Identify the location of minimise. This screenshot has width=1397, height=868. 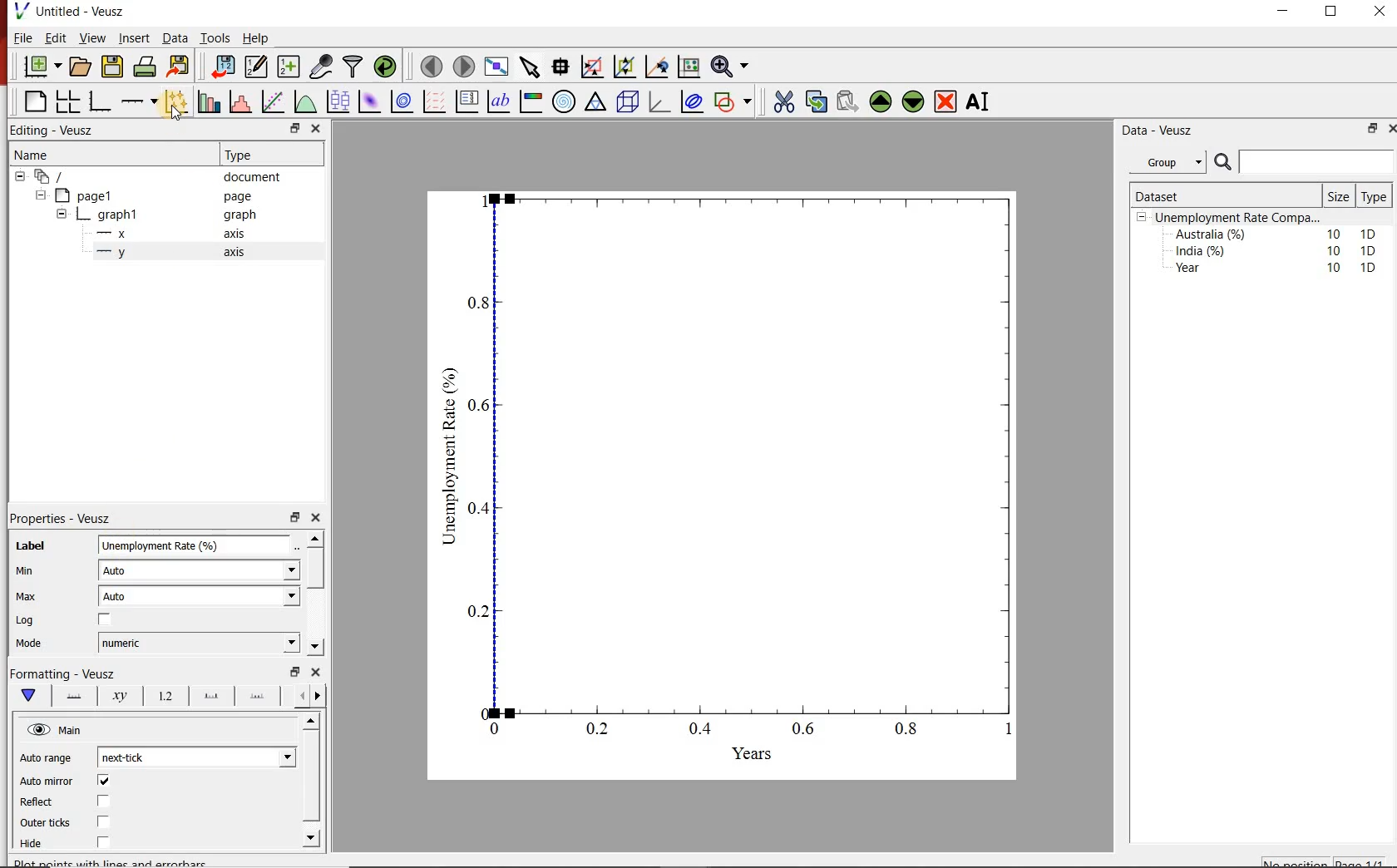
(1371, 128).